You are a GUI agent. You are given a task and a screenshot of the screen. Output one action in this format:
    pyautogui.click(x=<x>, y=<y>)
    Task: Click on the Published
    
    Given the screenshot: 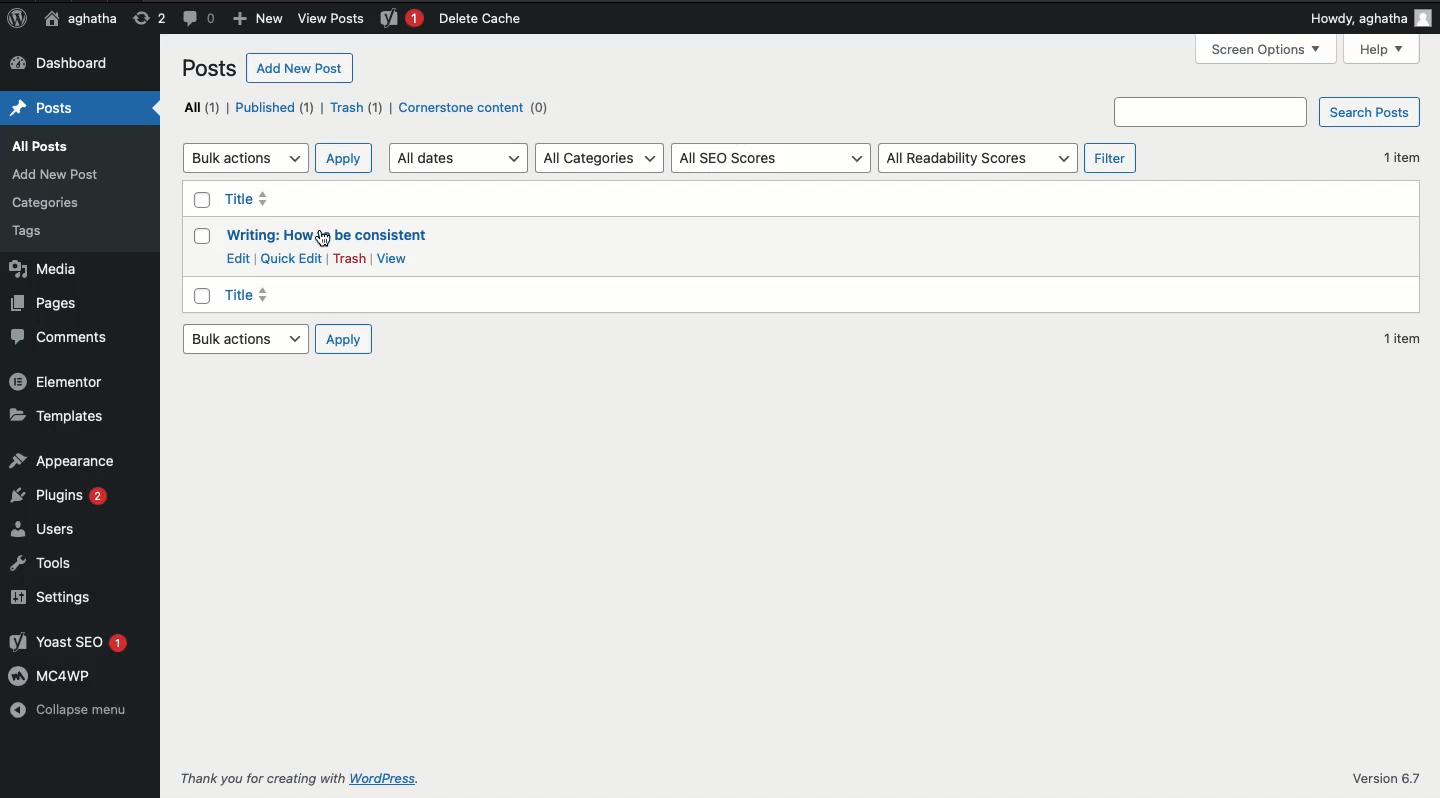 What is the action you would take?
    pyautogui.click(x=275, y=108)
    